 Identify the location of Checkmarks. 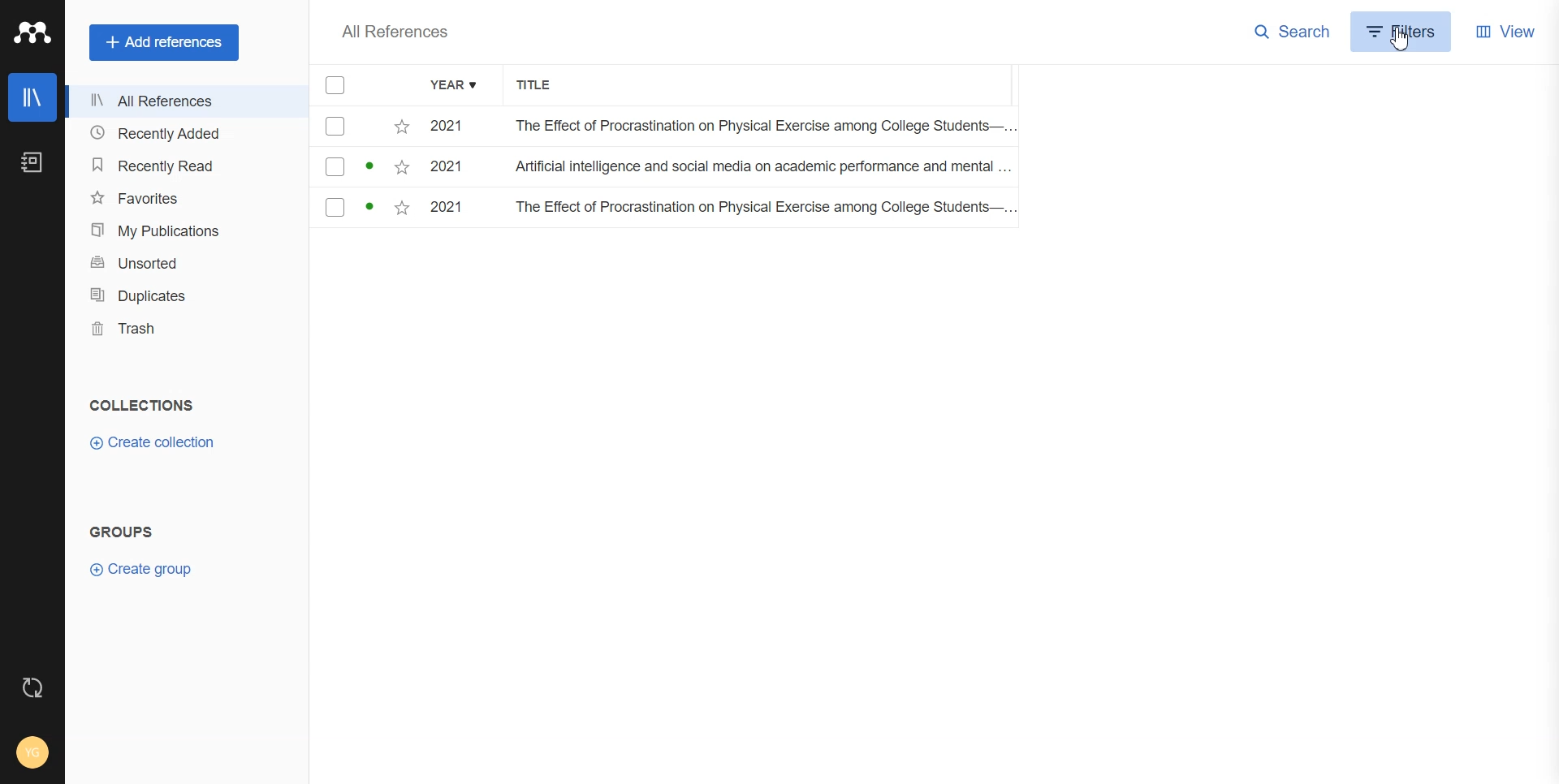
(336, 86).